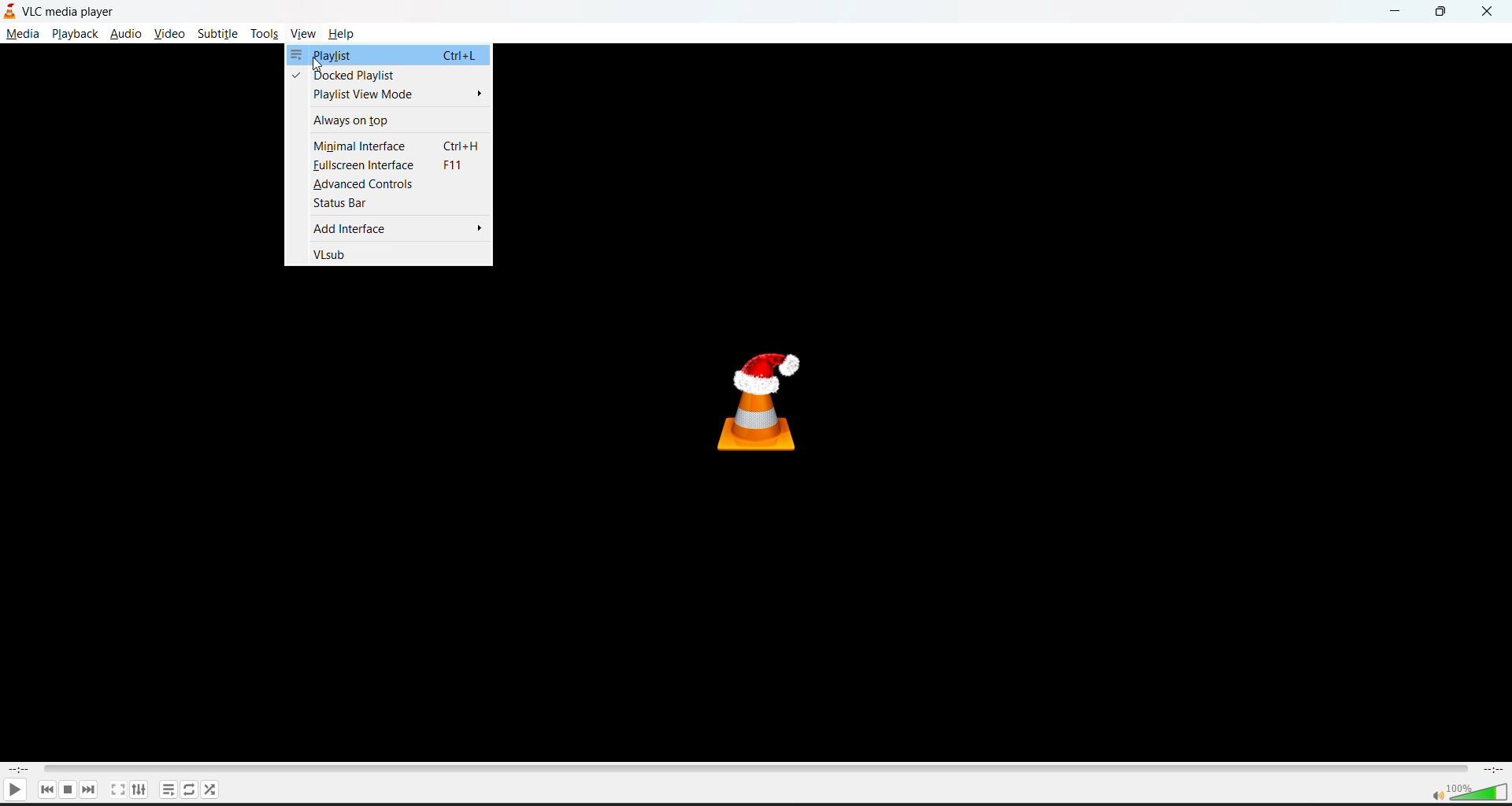 Image resolution: width=1512 pixels, height=806 pixels. Describe the element at coordinates (307, 35) in the screenshot. I see `view` at that location.